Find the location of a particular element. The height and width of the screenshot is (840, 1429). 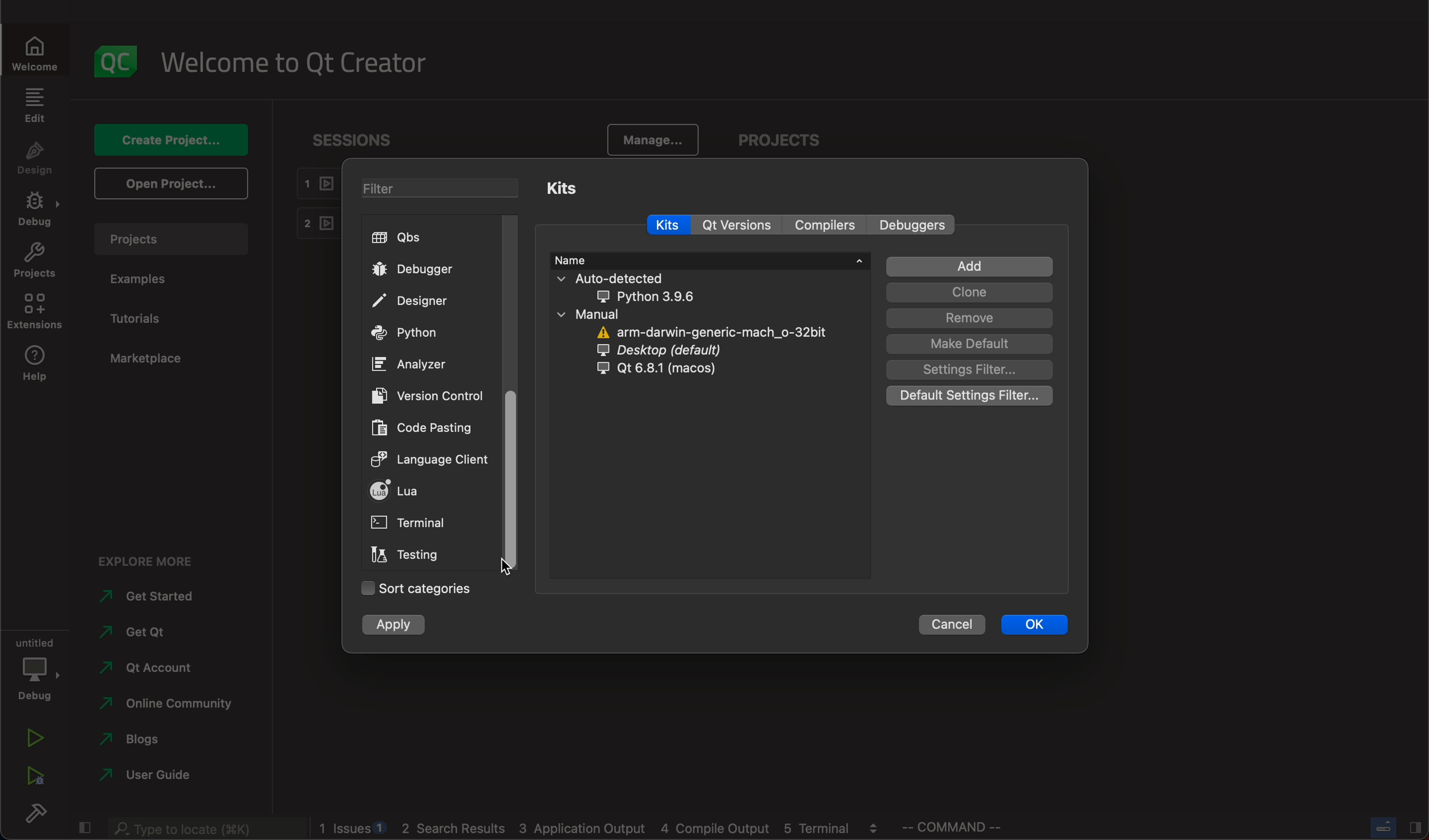

examples is located at coordinates (149, 279).